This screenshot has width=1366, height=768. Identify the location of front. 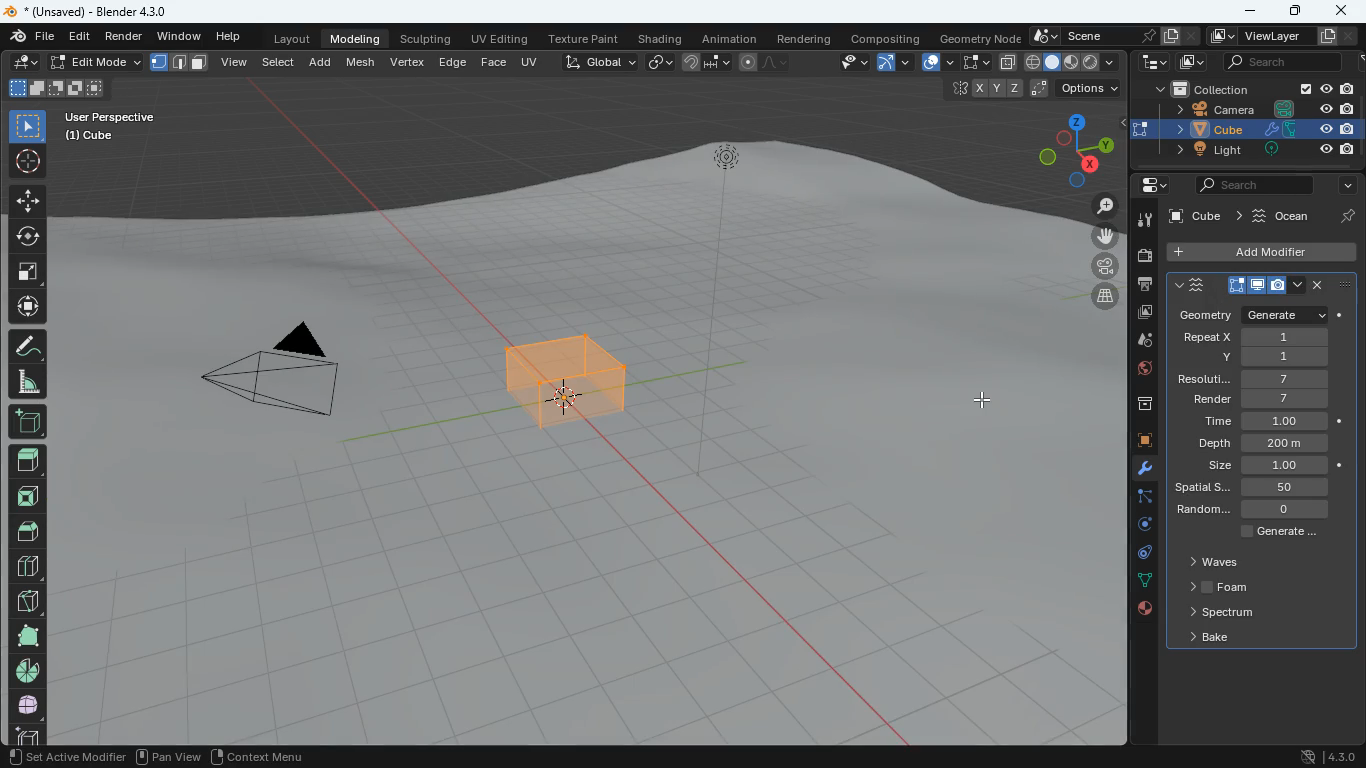
(26, 496).